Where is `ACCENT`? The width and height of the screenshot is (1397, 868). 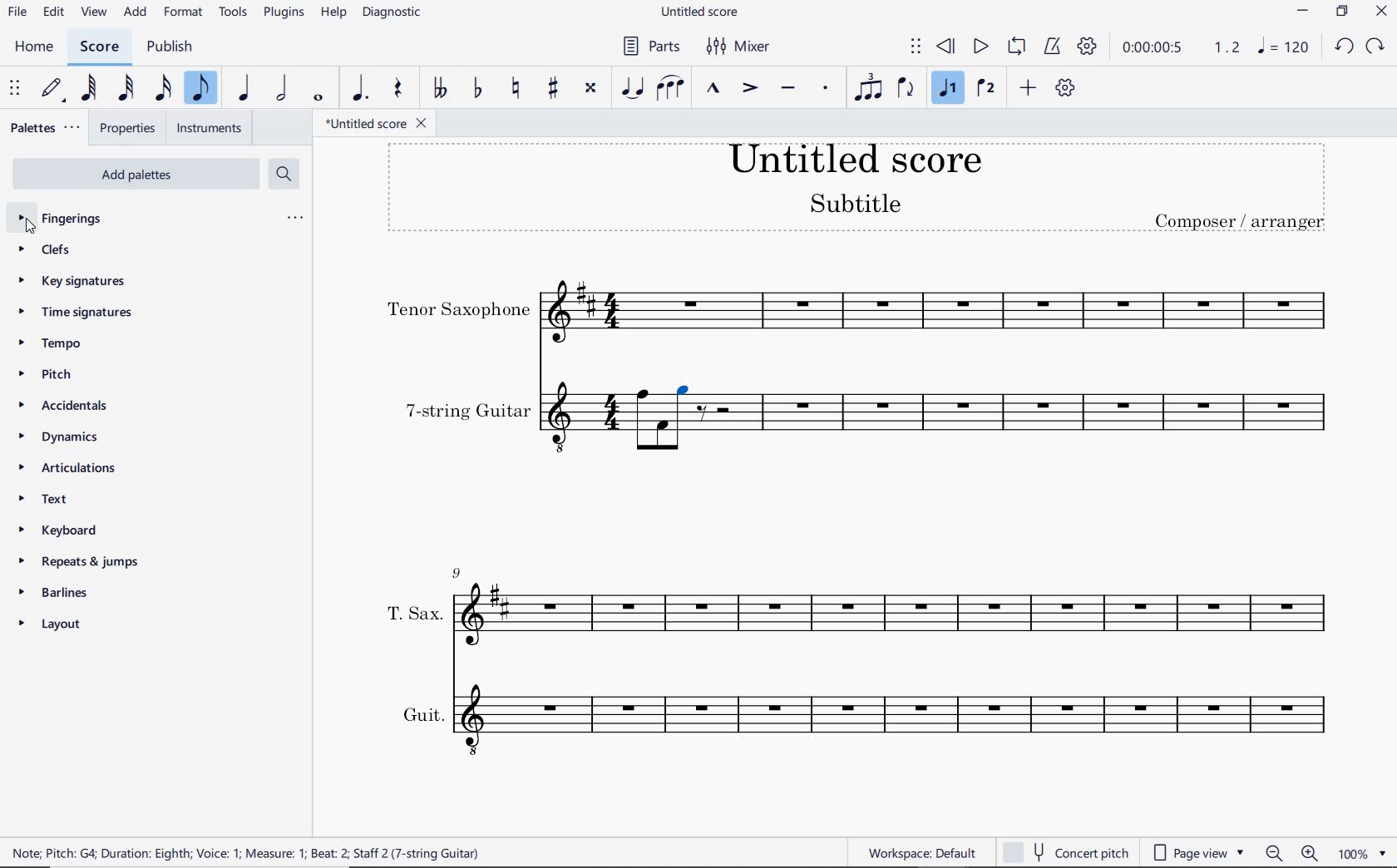 ACCENT is located at coordinates (751, 88).